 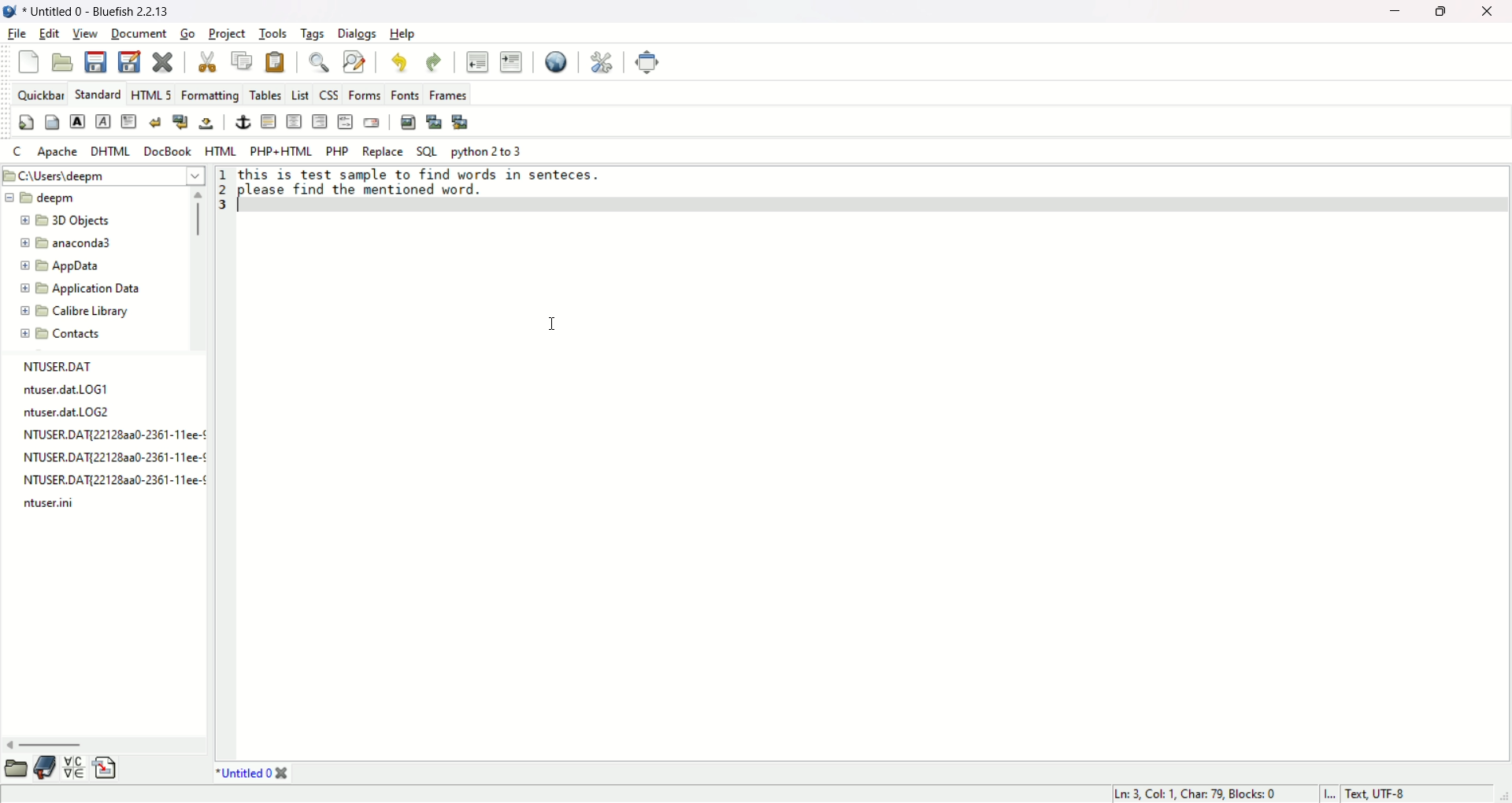 What do you see at coordinates (57, 746) in the screenshot?
I see `horizontal scroll bar` at bounding box center [57, 746].